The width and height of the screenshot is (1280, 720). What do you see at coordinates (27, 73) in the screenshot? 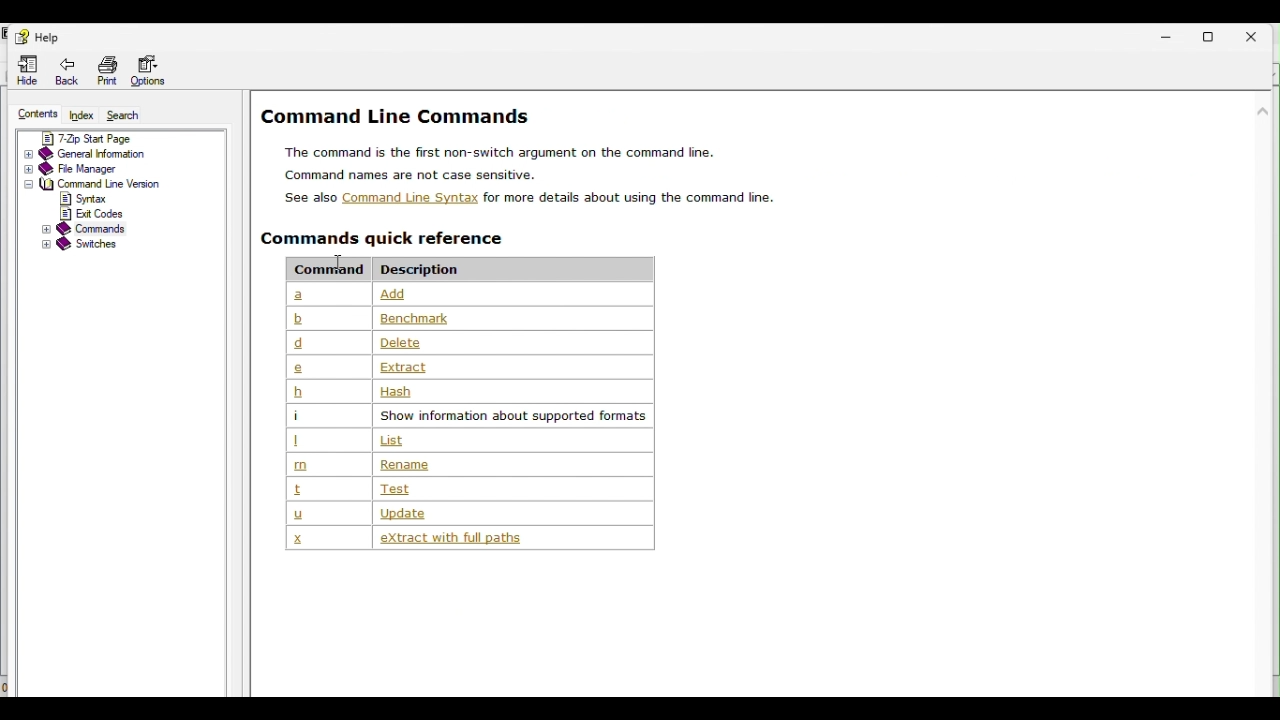
I see `Hide` at bounding box center [27, 73].